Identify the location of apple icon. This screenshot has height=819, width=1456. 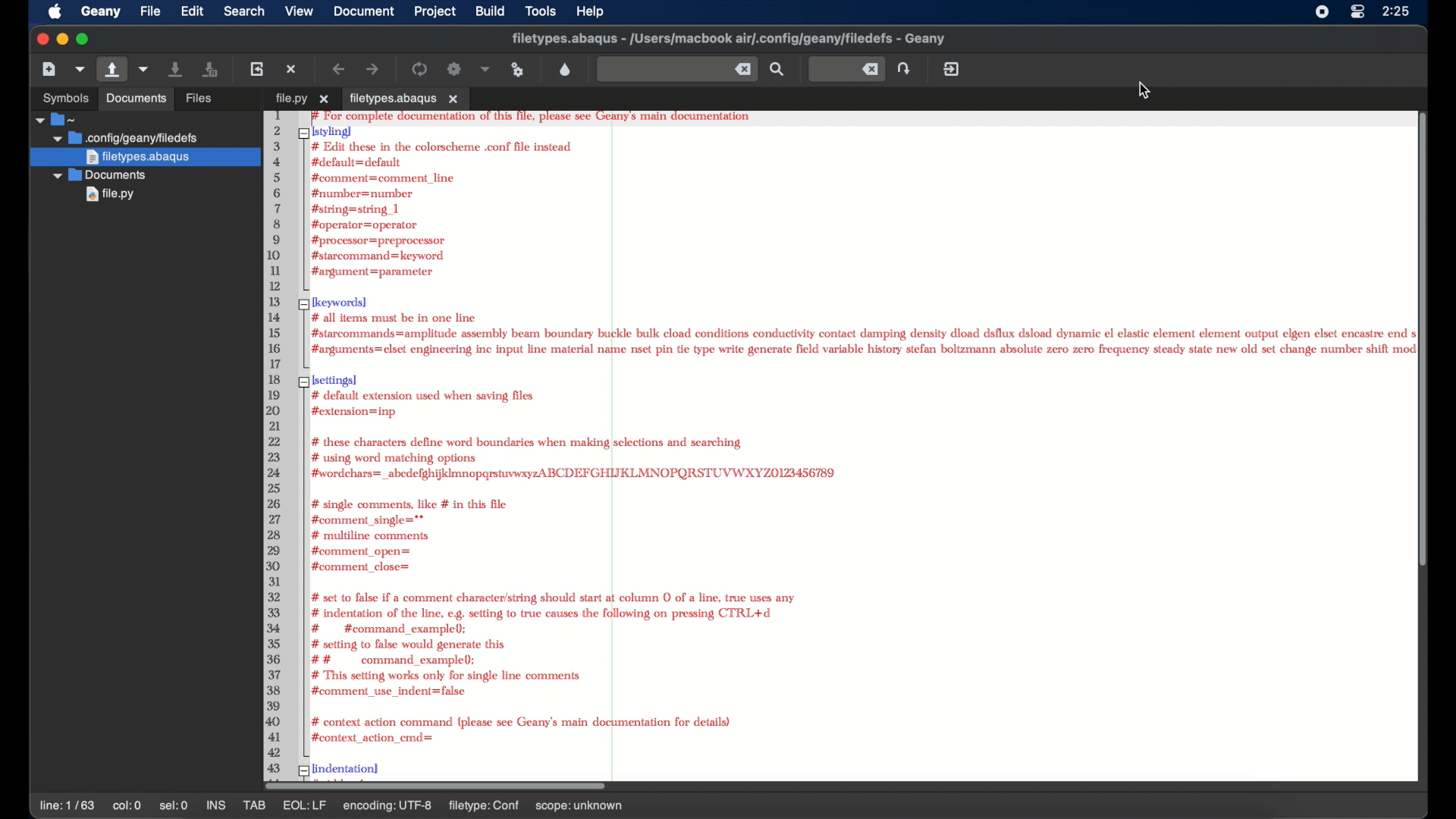
(55, 12).